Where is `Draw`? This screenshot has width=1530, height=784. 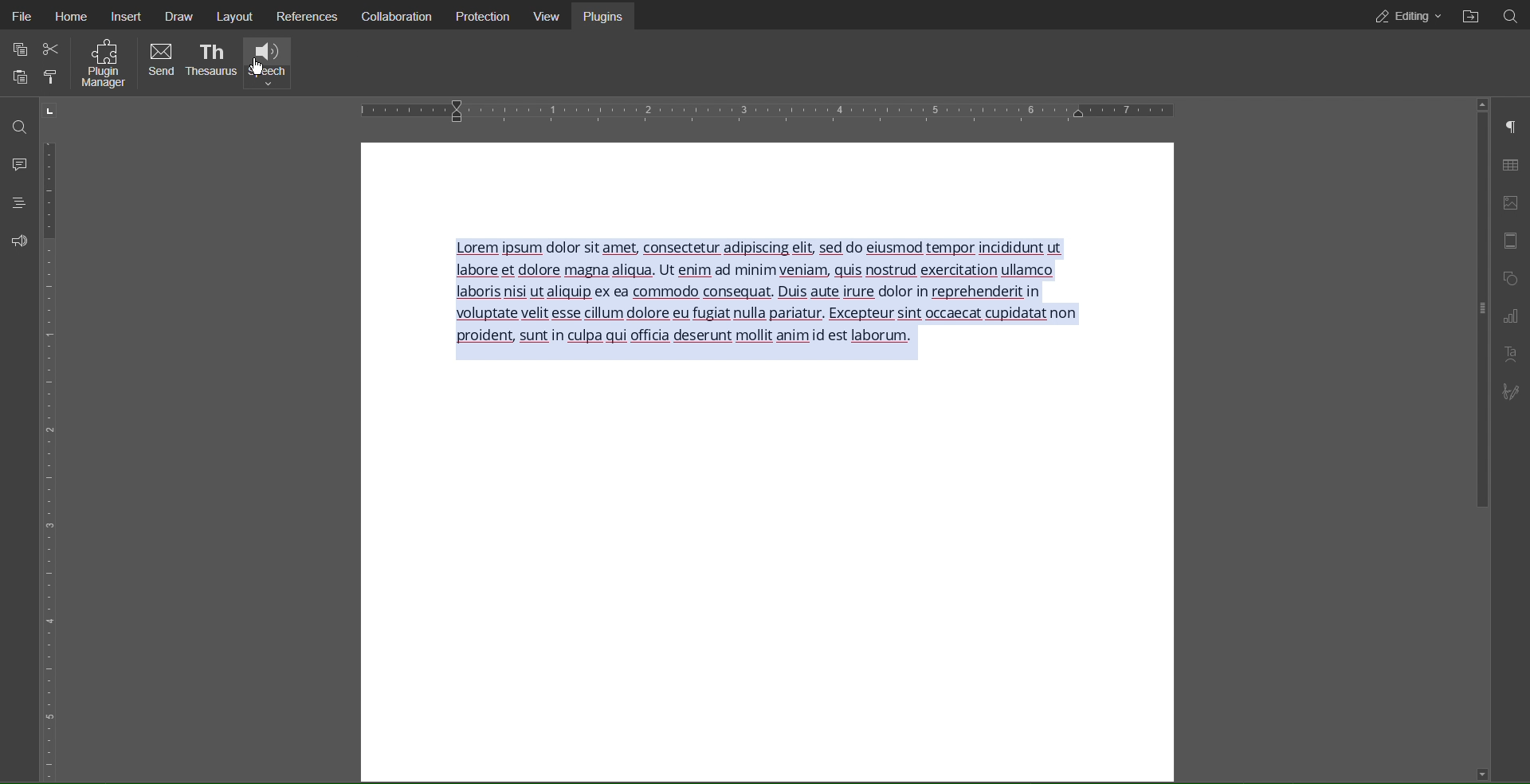 Draw is located at coordinates (181, 16).